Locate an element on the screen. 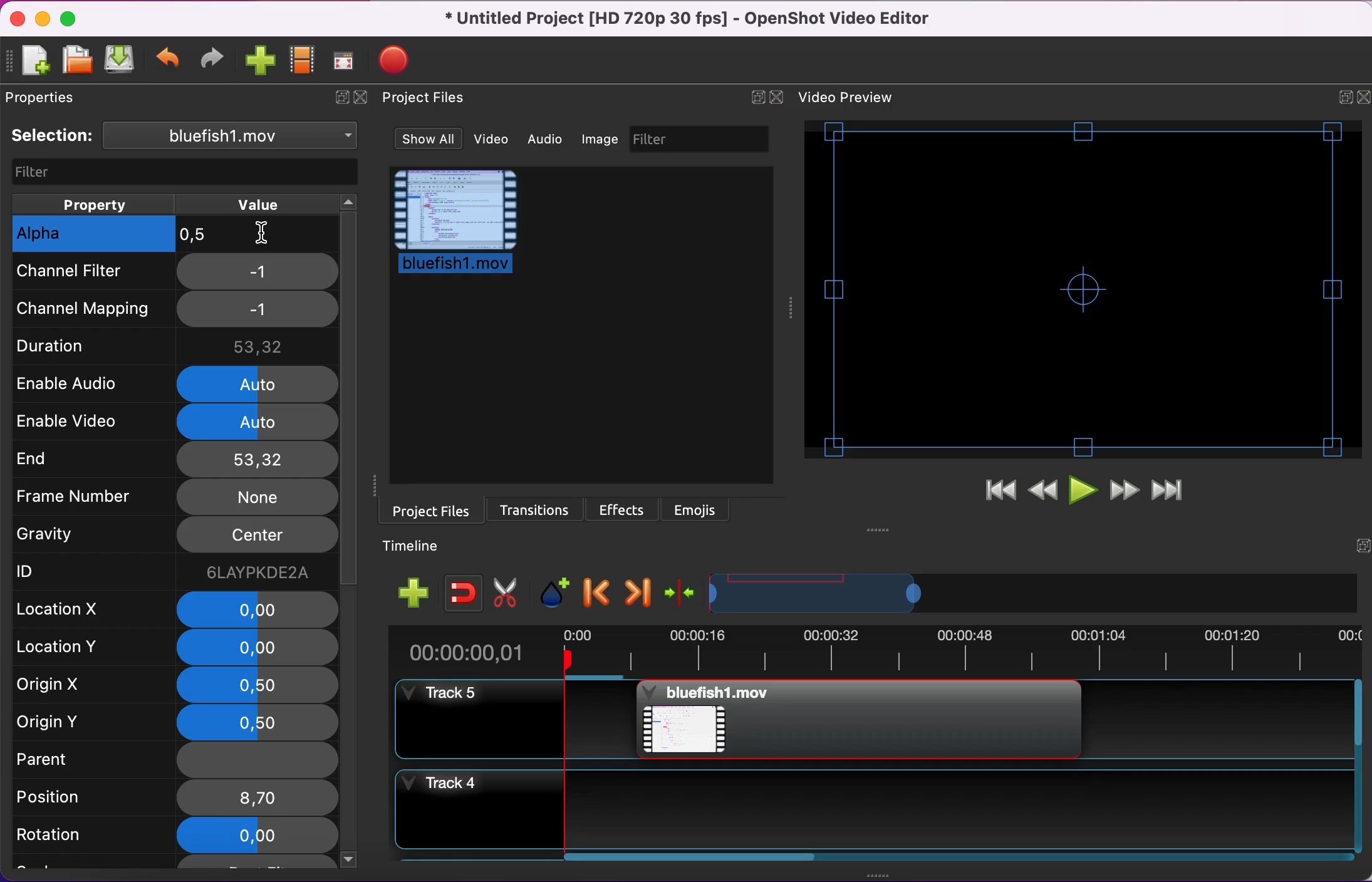  enable audio is located at coordinates (93, 383).